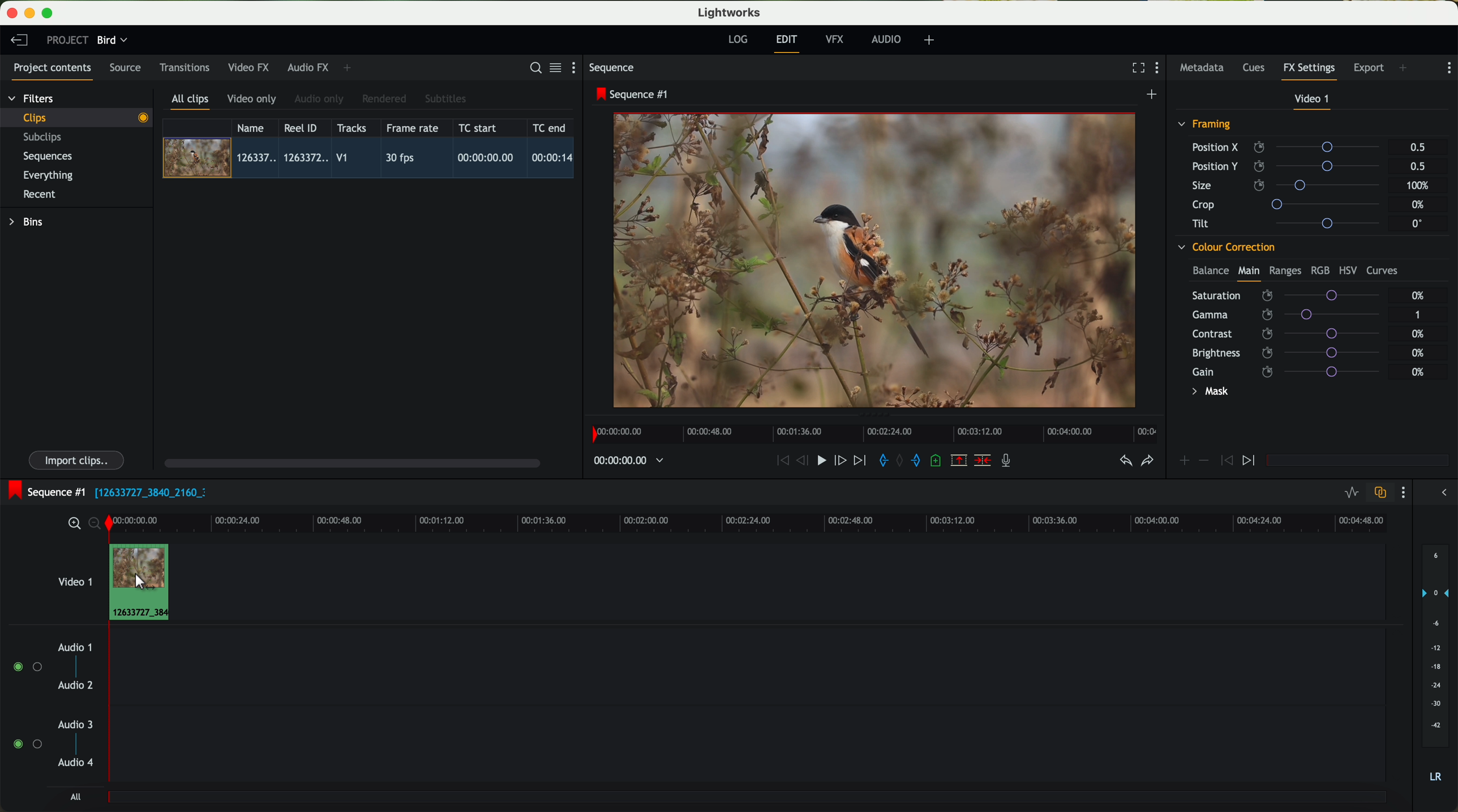  What do you see at coordinates (32, 14) in the screenshot?
I see `minimize program` at bounding box center [32, 14].